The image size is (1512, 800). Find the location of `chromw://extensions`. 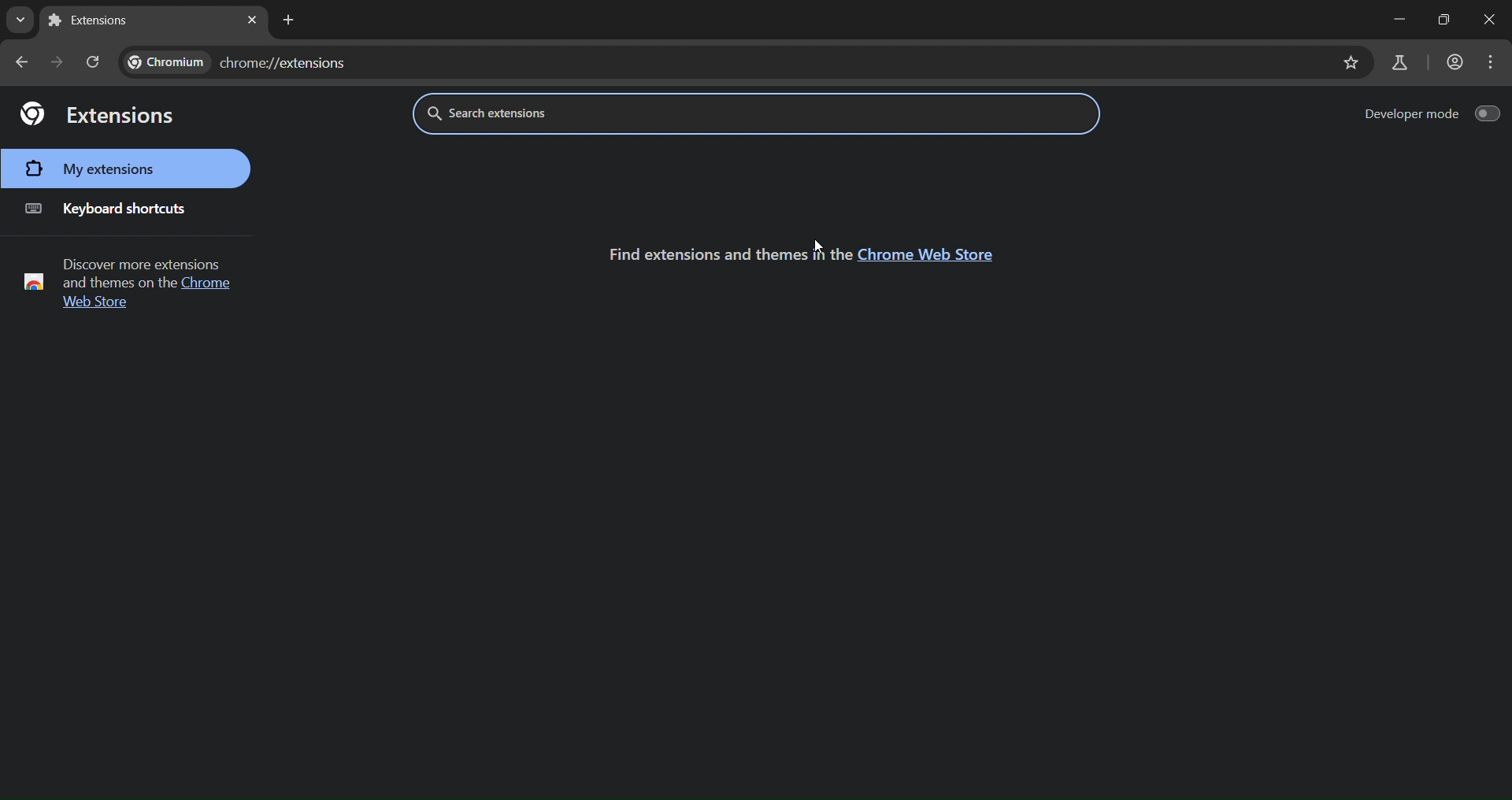

chromw://extensions is located at coordinates (243, 61).